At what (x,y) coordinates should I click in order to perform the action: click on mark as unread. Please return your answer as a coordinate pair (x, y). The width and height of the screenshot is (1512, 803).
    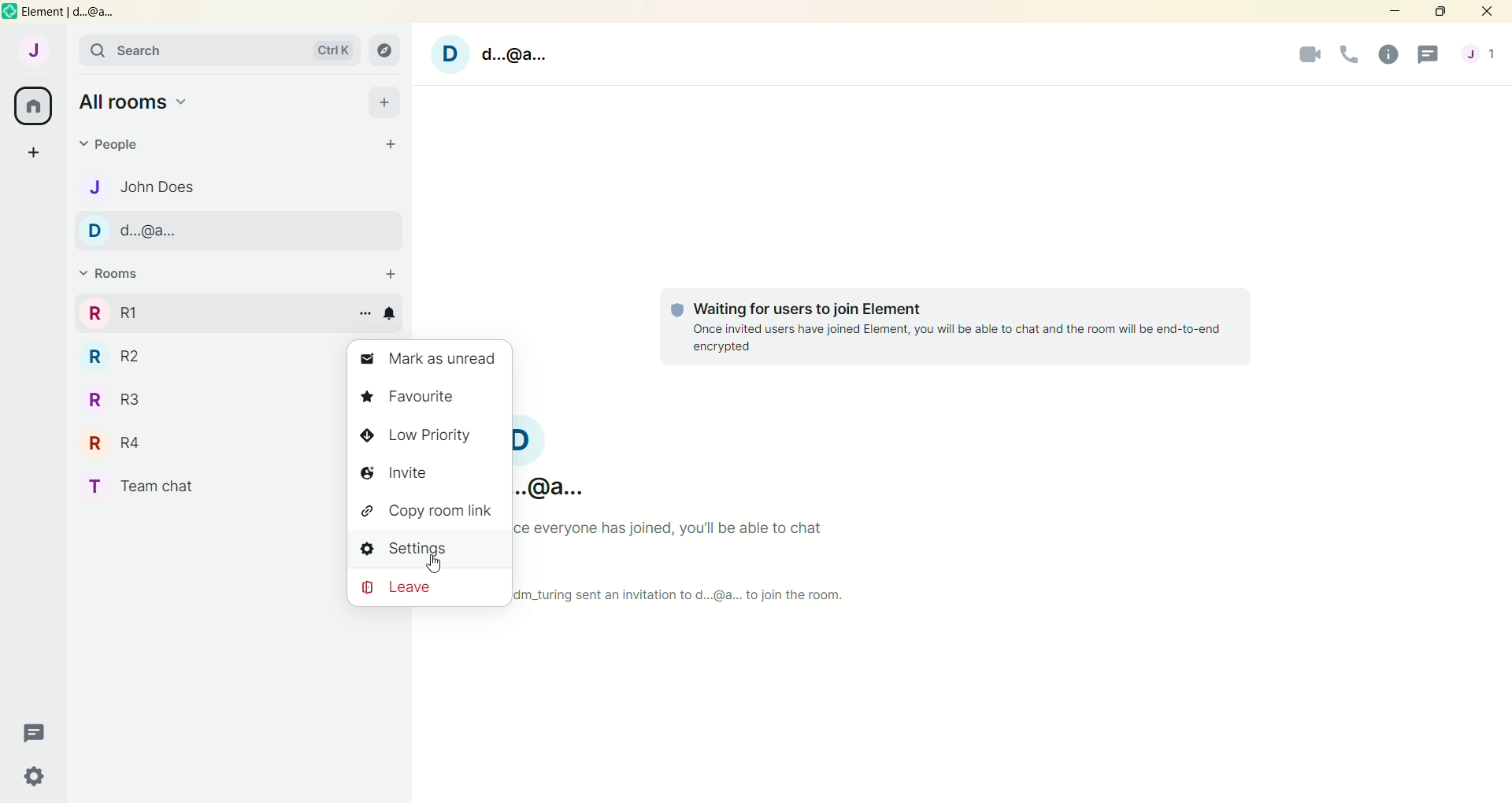
    Looking at the image, I should click on (433, 361).